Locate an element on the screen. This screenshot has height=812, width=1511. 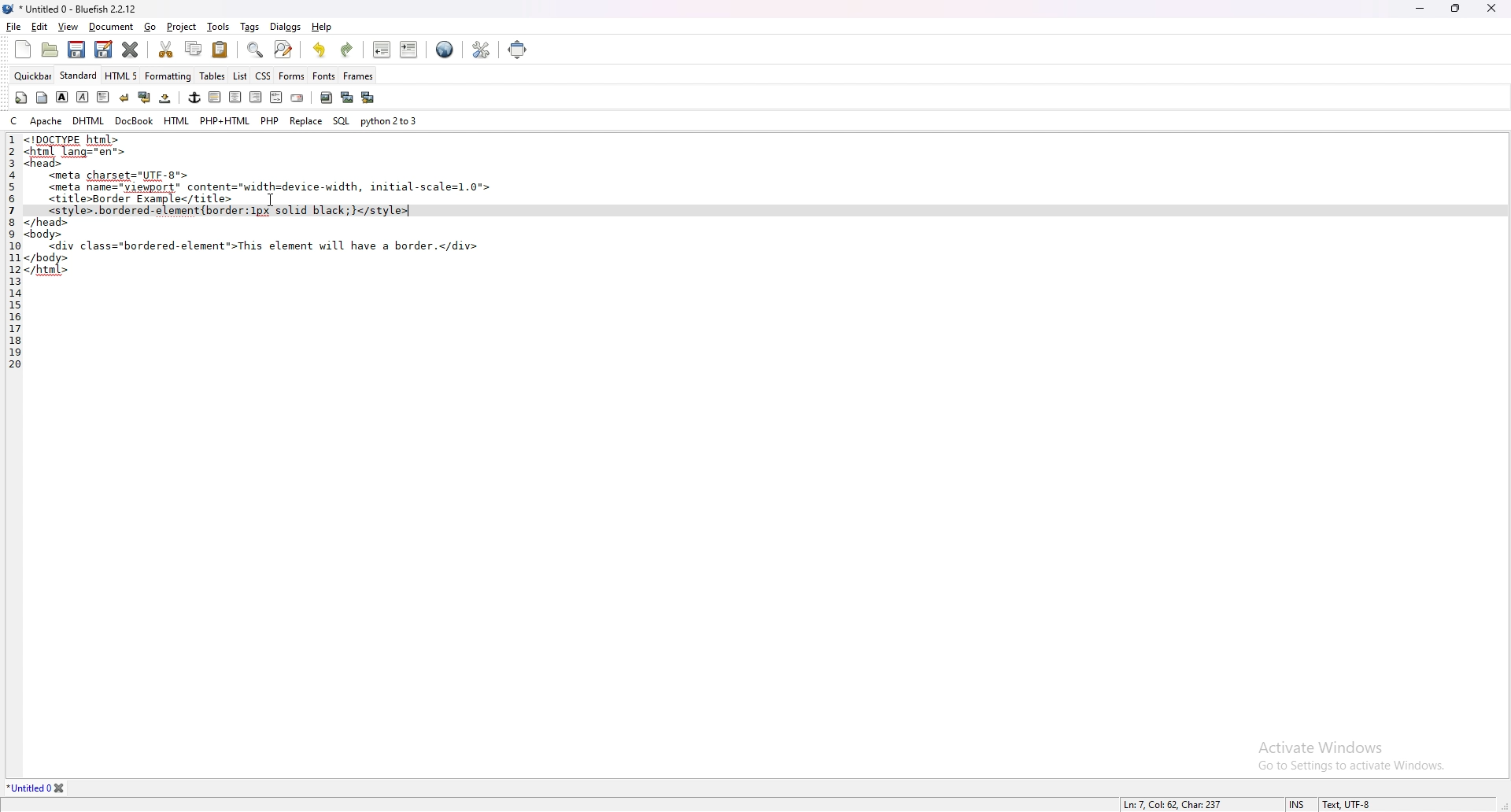
fonts is located at coordinates (323, 76).